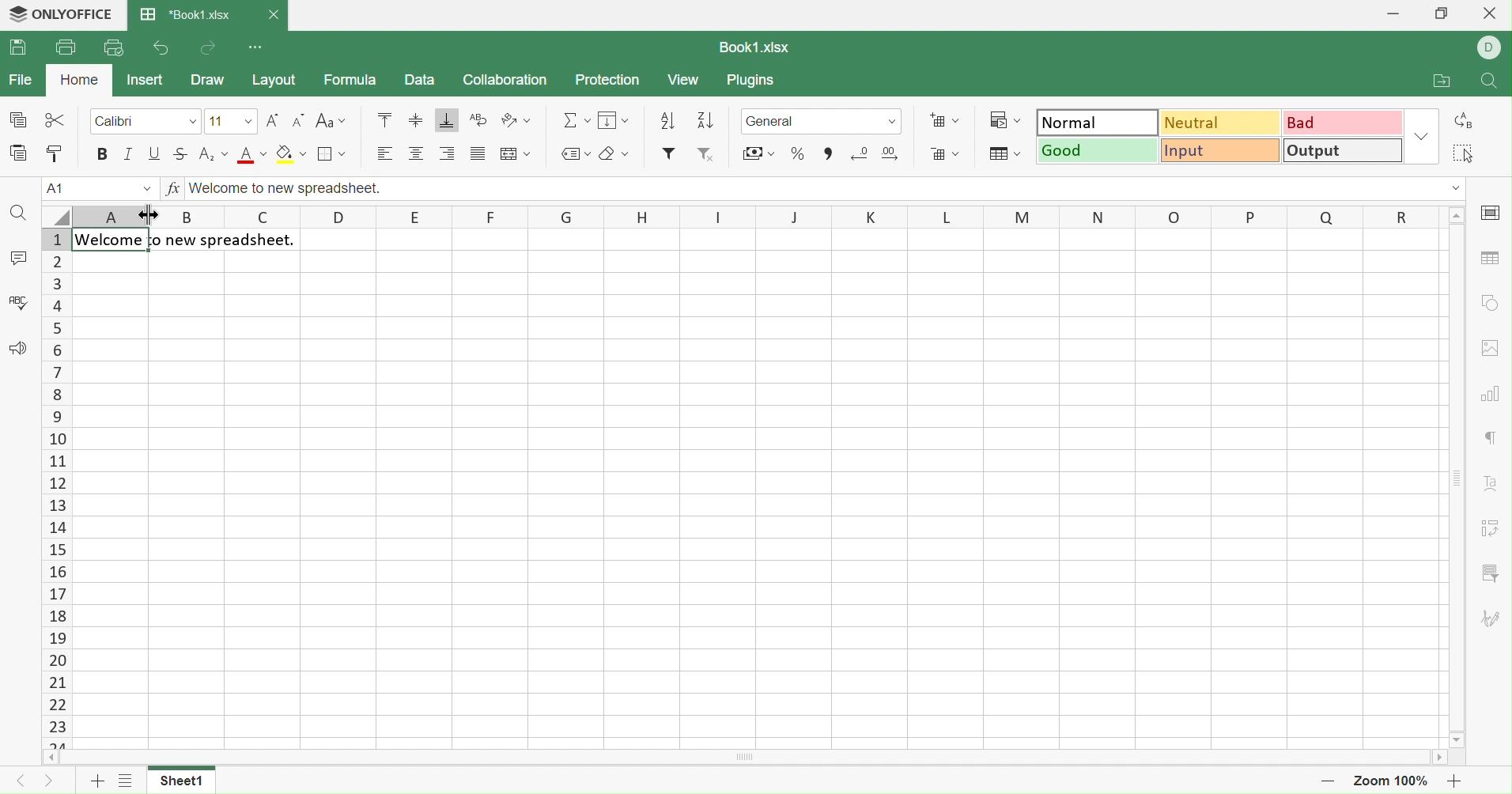 The image size is (1512, 794). Describe the element at coordinates (891, 154) in the screenshot. I see `Increase decimal` at that location.